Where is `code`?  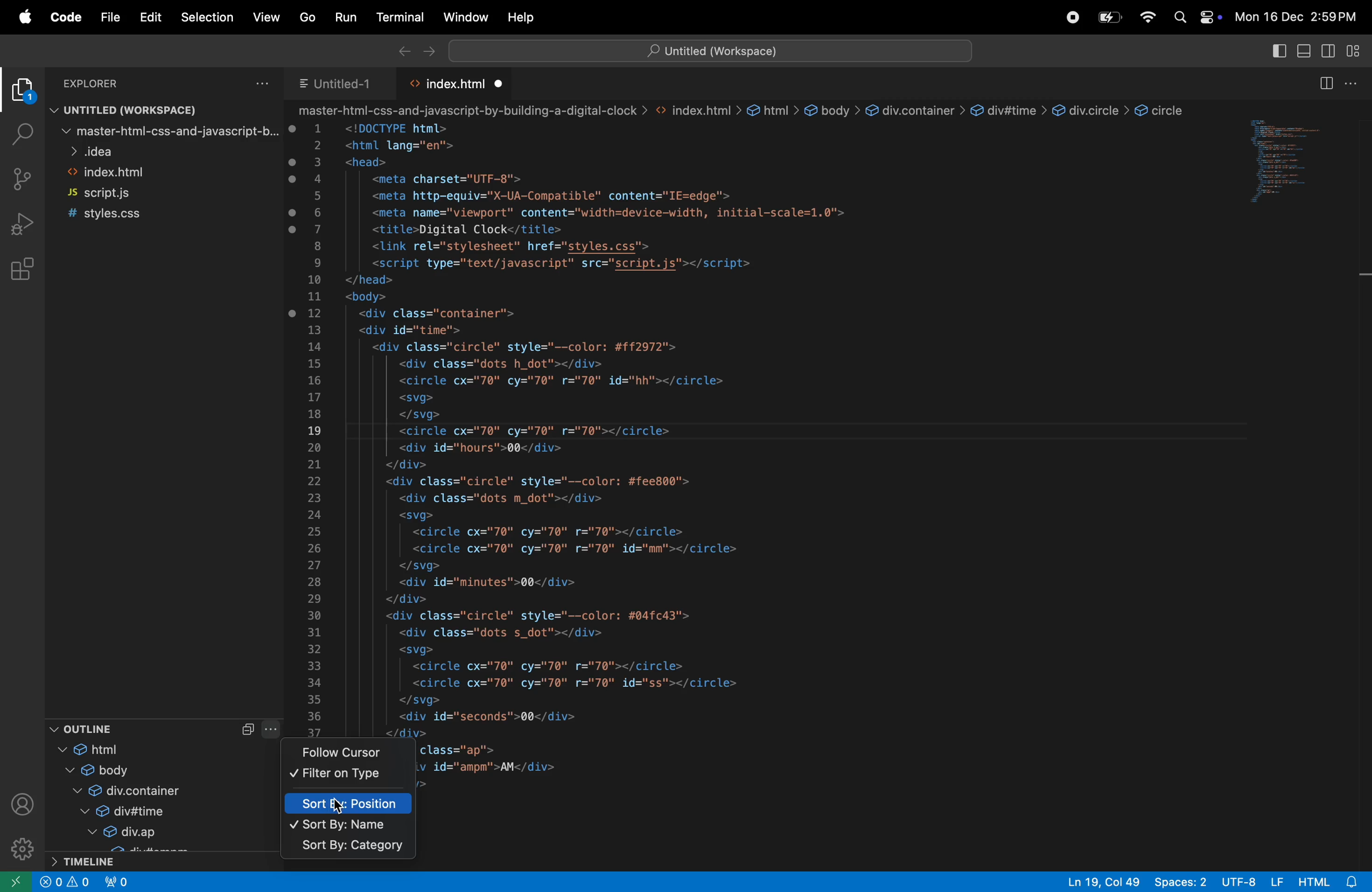
code is located at coordinates (62, 17).